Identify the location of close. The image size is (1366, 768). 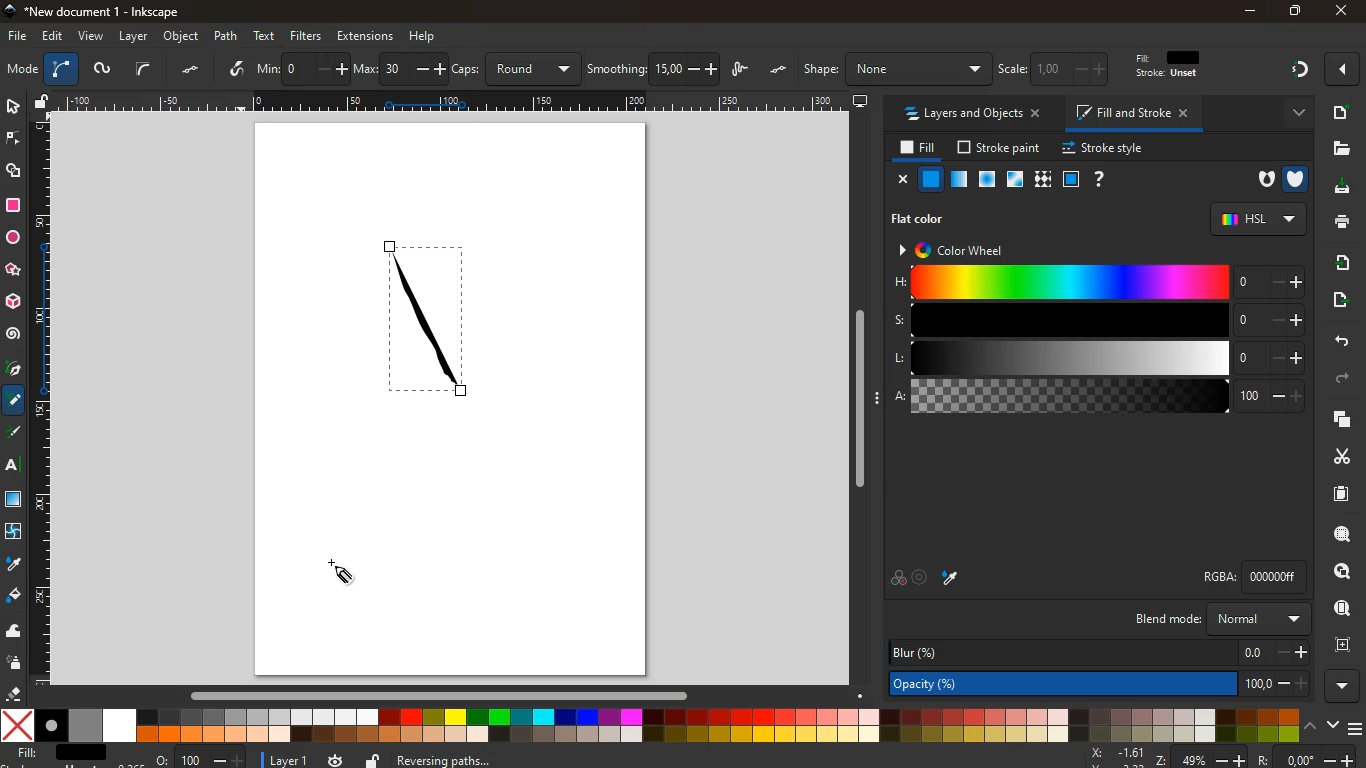
(904, 181).